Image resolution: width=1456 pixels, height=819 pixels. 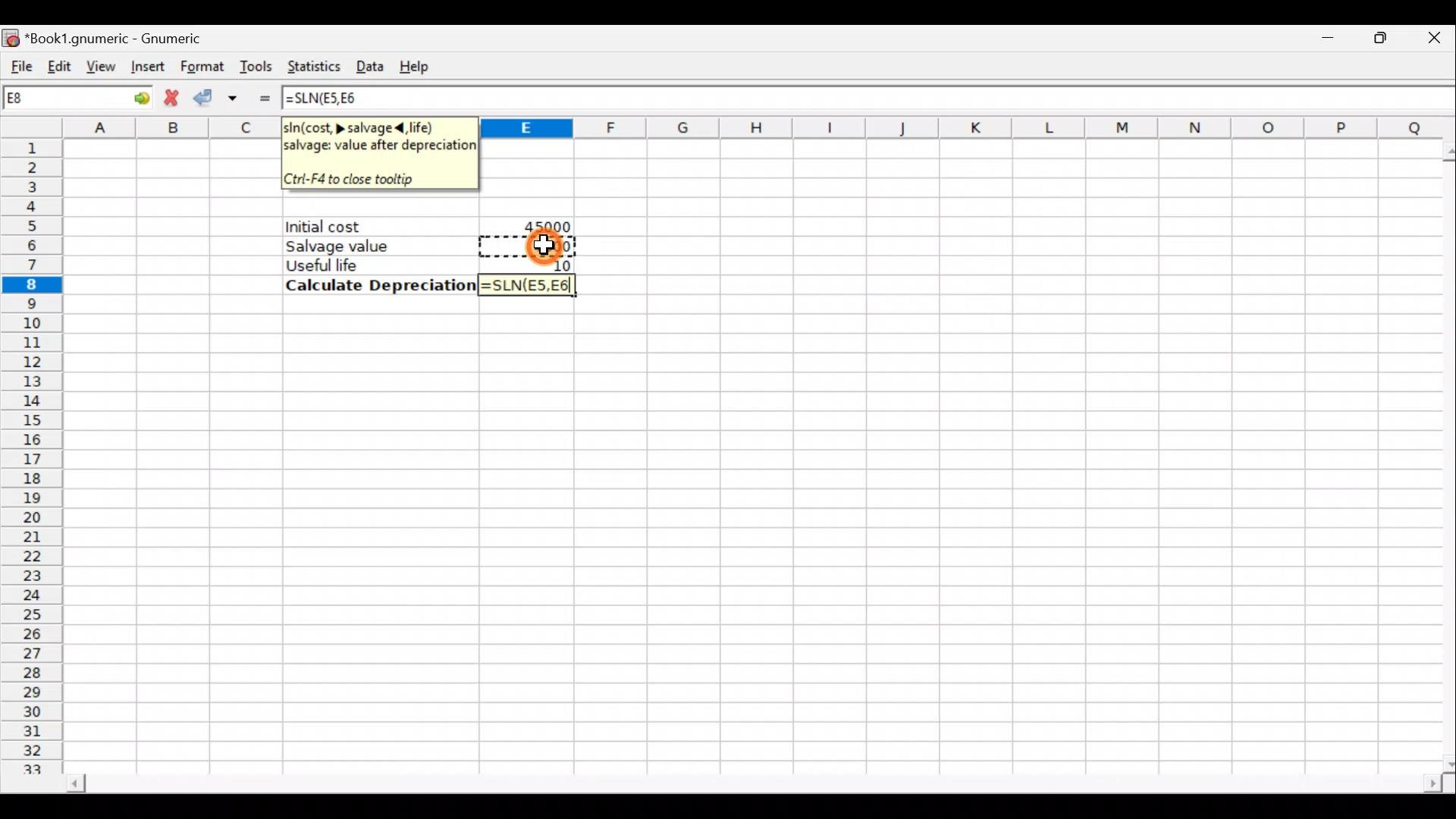 What do you see at coordinates (219, 96) in the screenshot?
I see `Accept change` at bounding box center [219, 96].